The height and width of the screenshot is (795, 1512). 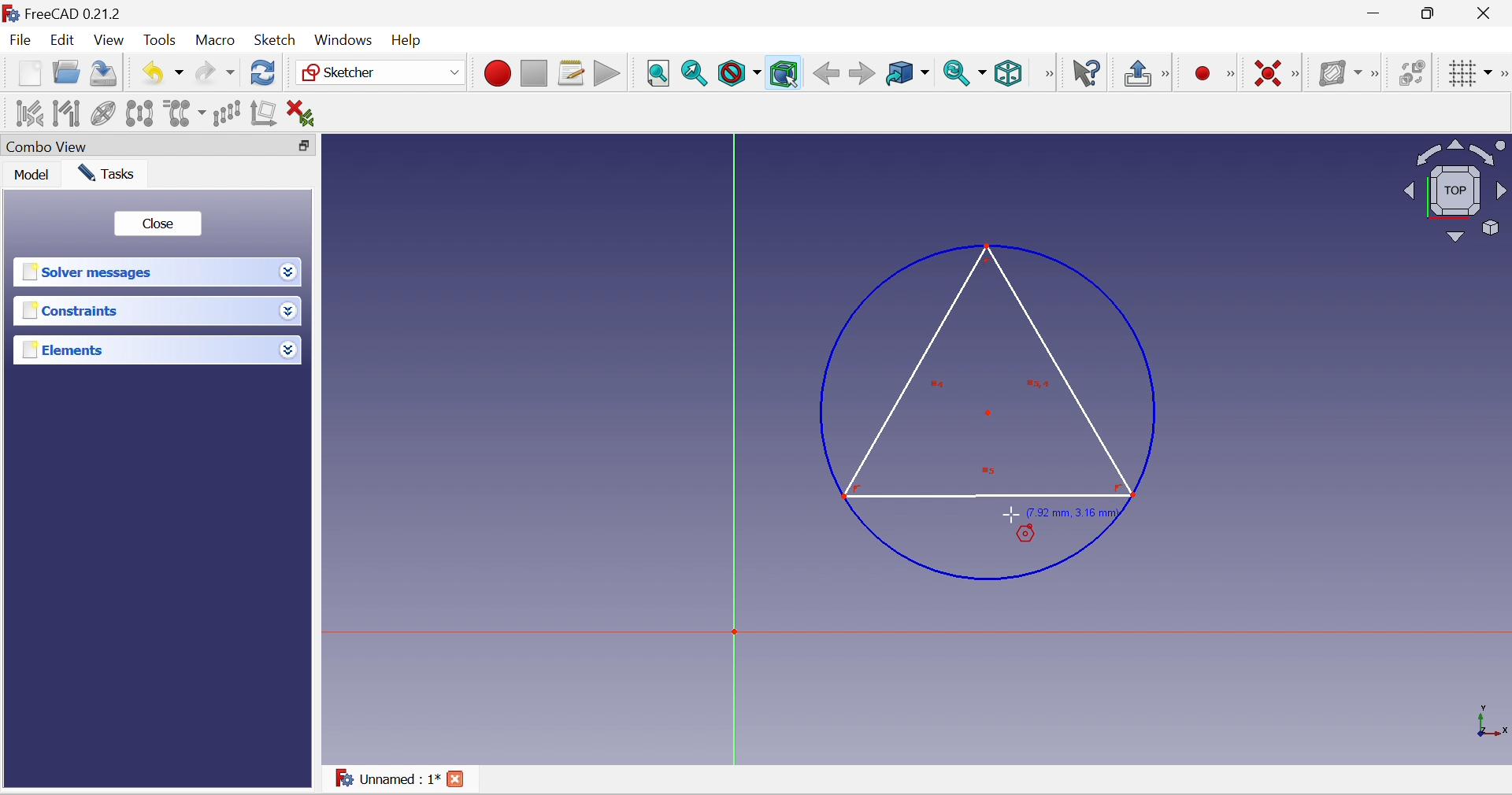 I want to click on maximize, so click(x=1430, y=13).